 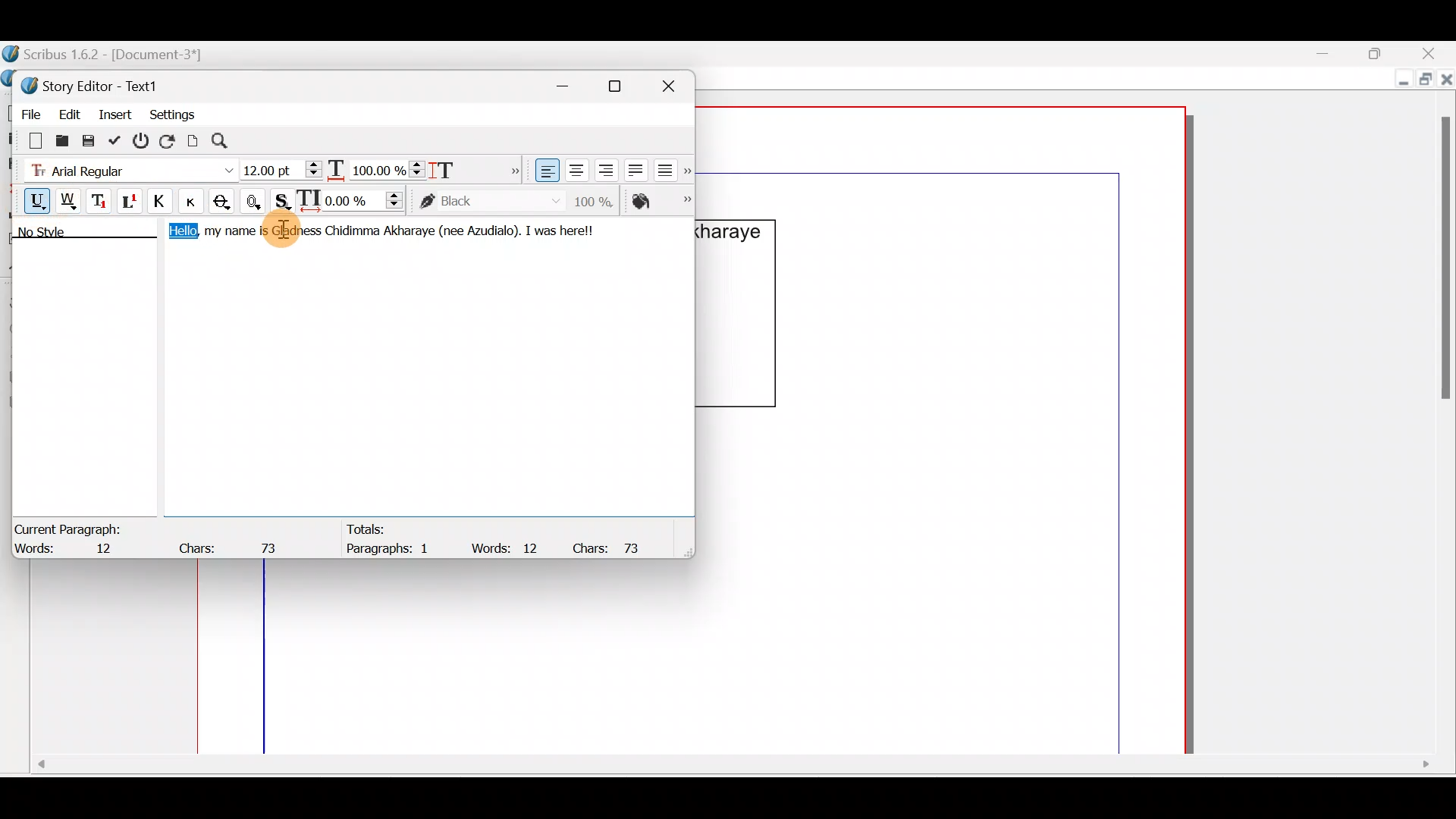 What do you see at coordinates (490, 202) in the screenshot?
I see `color of text stroke` at bounding box center [490, 202].